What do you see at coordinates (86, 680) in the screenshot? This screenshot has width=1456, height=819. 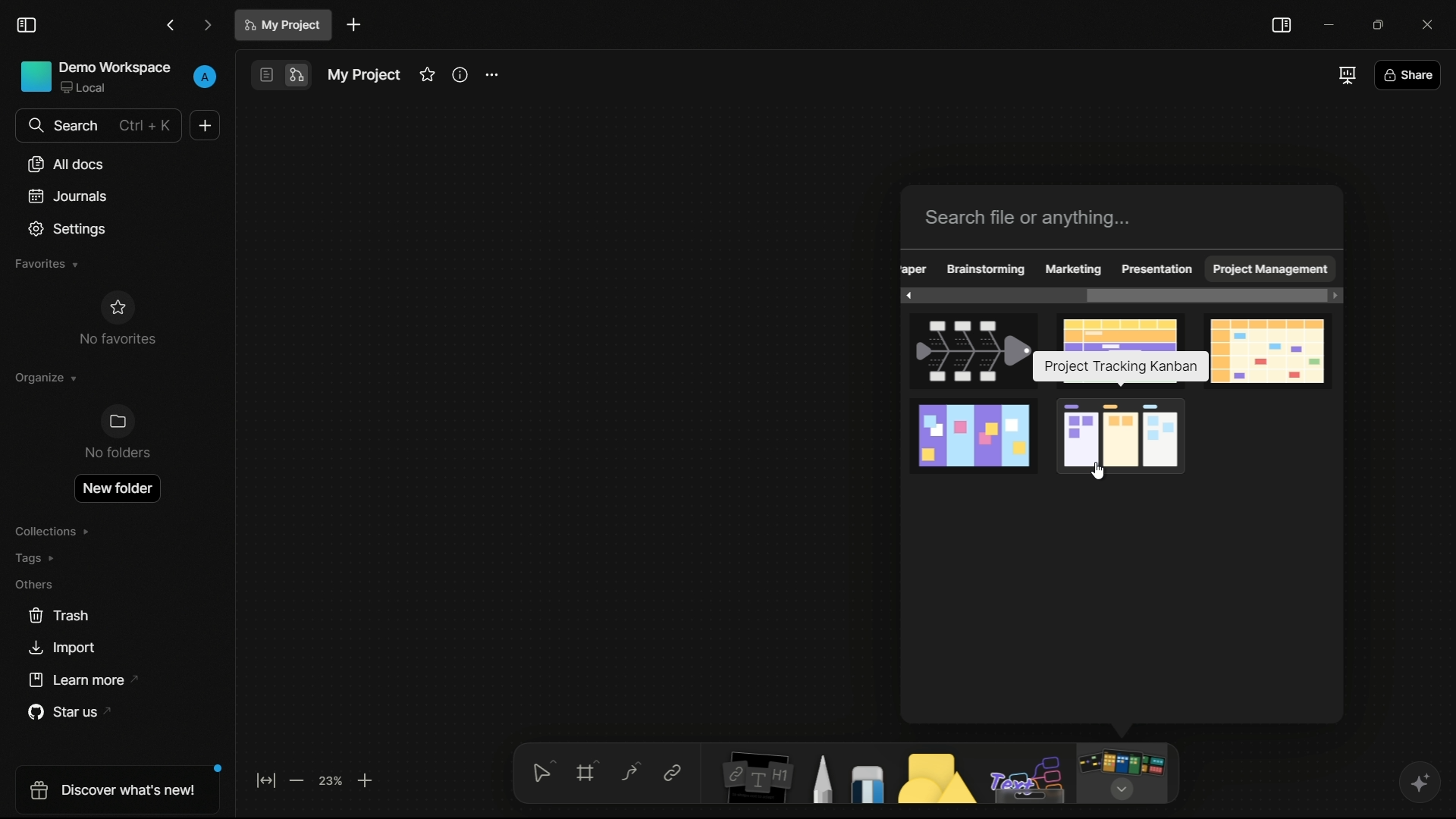 I see `learn more` at bounding box center [86, 680].